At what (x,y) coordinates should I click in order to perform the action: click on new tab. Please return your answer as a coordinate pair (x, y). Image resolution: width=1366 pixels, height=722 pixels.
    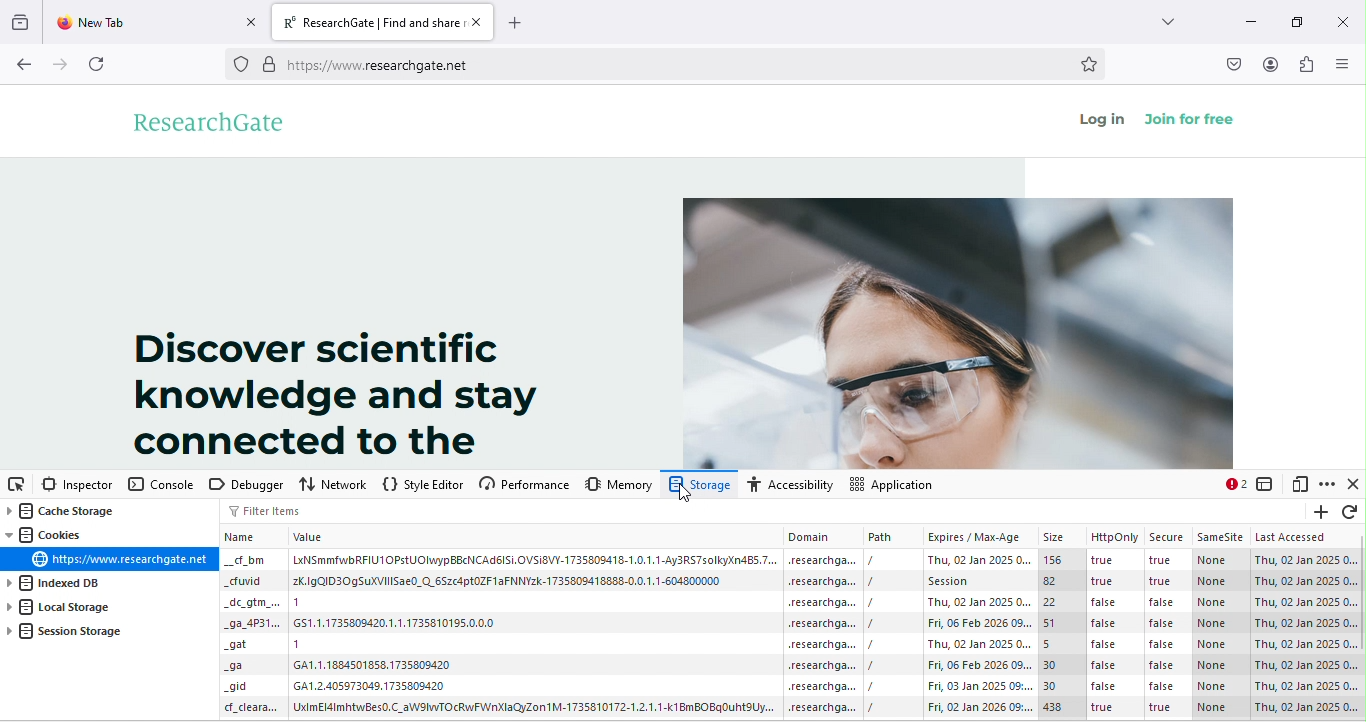
    Looking at the image, I should click on (137, 22).